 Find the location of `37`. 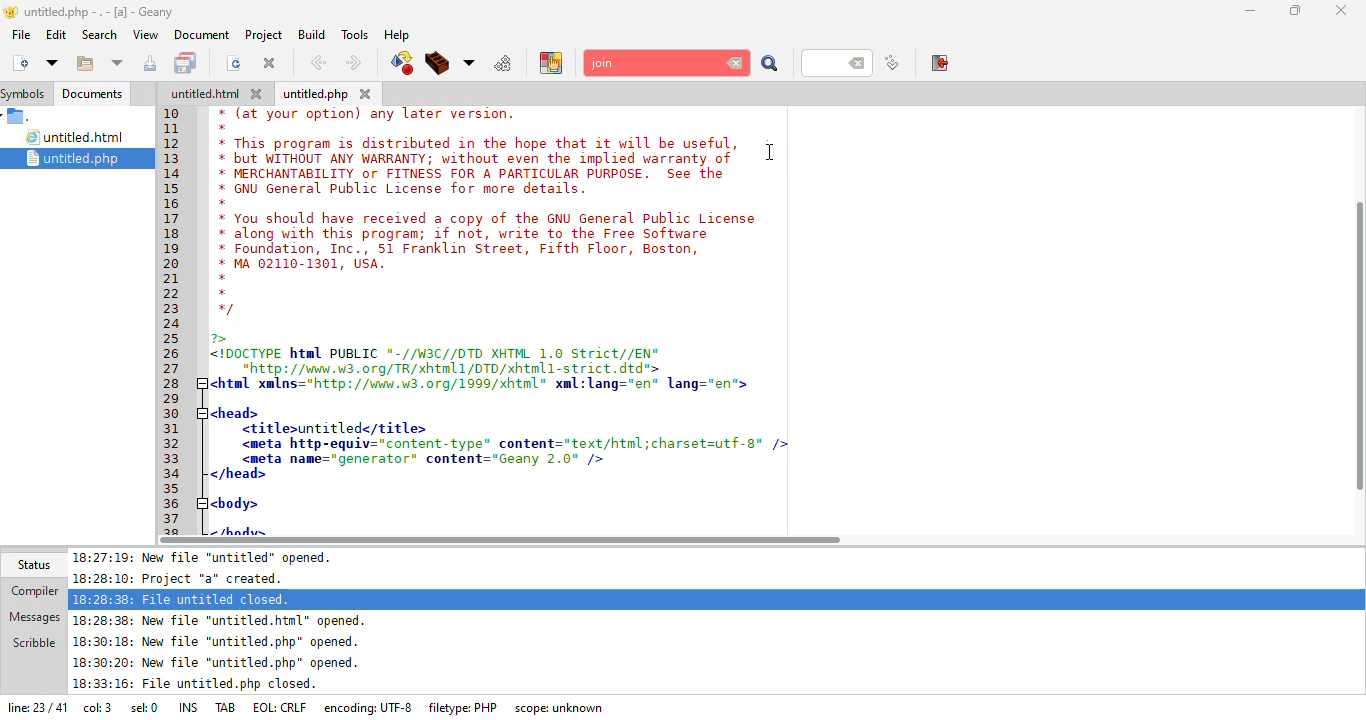

37 is located at coordinates (174, 519).